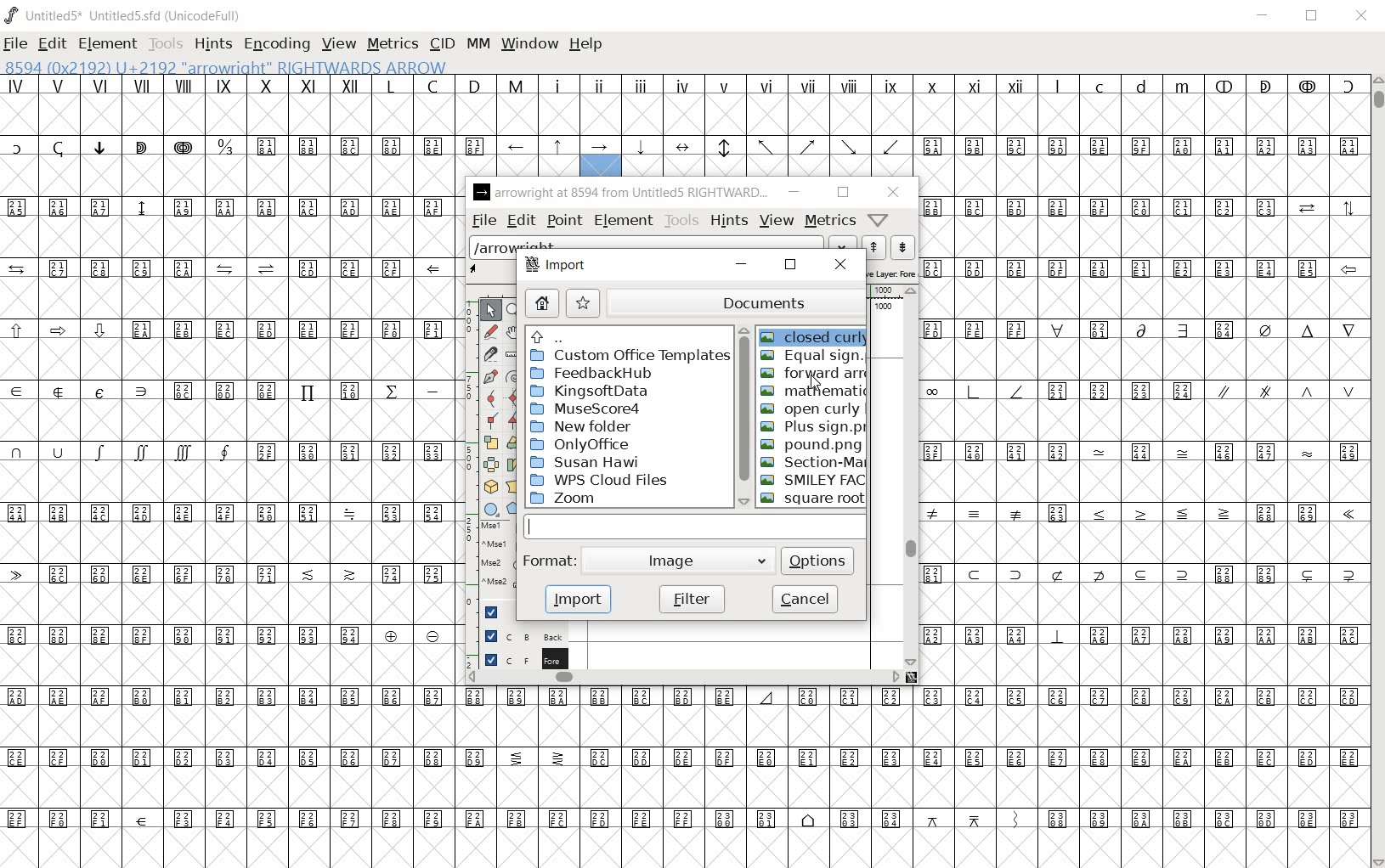 This screenshot has width=1385, height=868. Describe the element at coordinates (515, 397) in the screenshot. I see `add a curve point always either horizontal or vertical` at that location.